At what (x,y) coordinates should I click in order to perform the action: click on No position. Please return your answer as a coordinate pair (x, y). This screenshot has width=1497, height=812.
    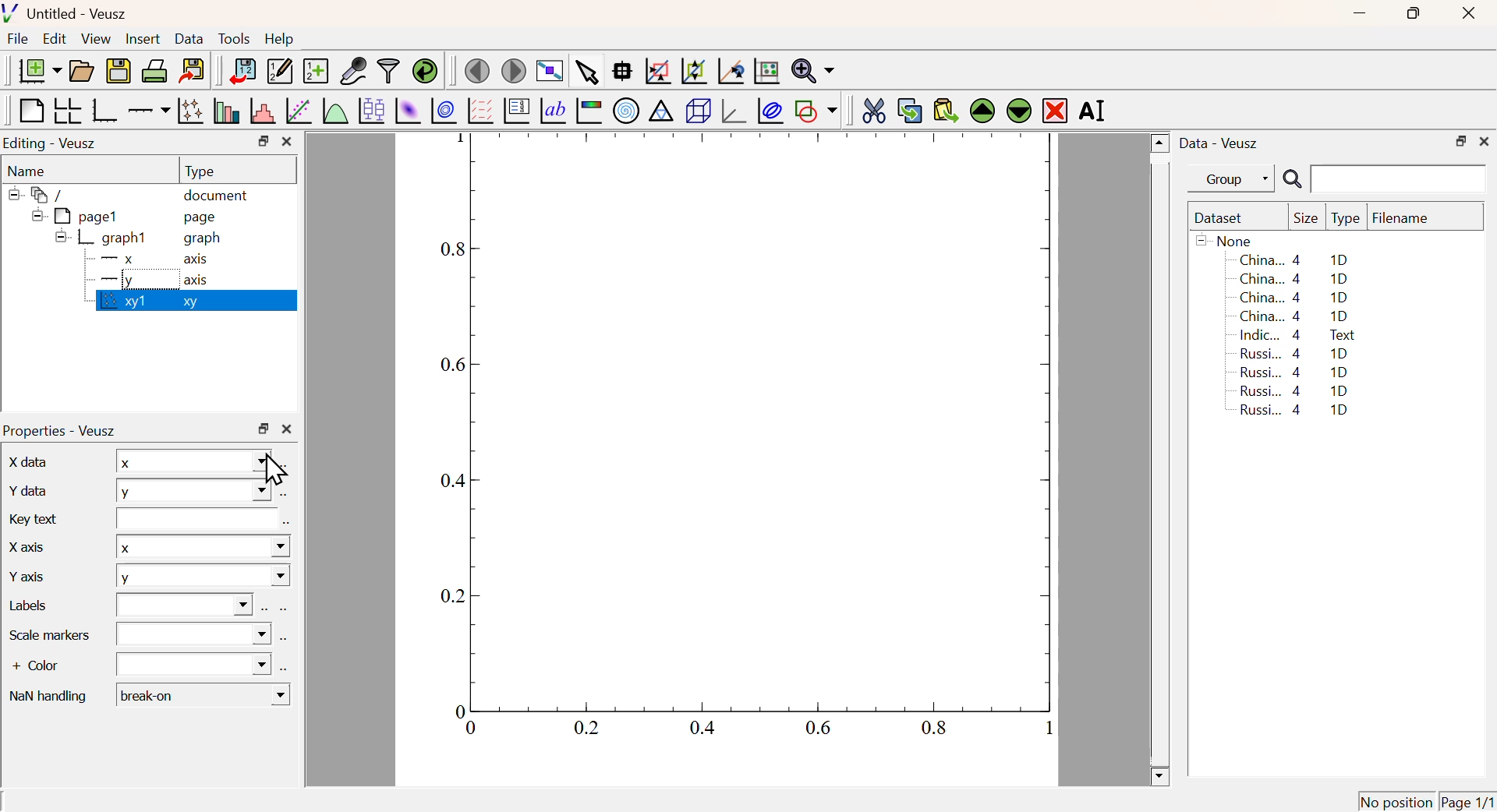
    Looking at the image, I should click on (1396, 800).